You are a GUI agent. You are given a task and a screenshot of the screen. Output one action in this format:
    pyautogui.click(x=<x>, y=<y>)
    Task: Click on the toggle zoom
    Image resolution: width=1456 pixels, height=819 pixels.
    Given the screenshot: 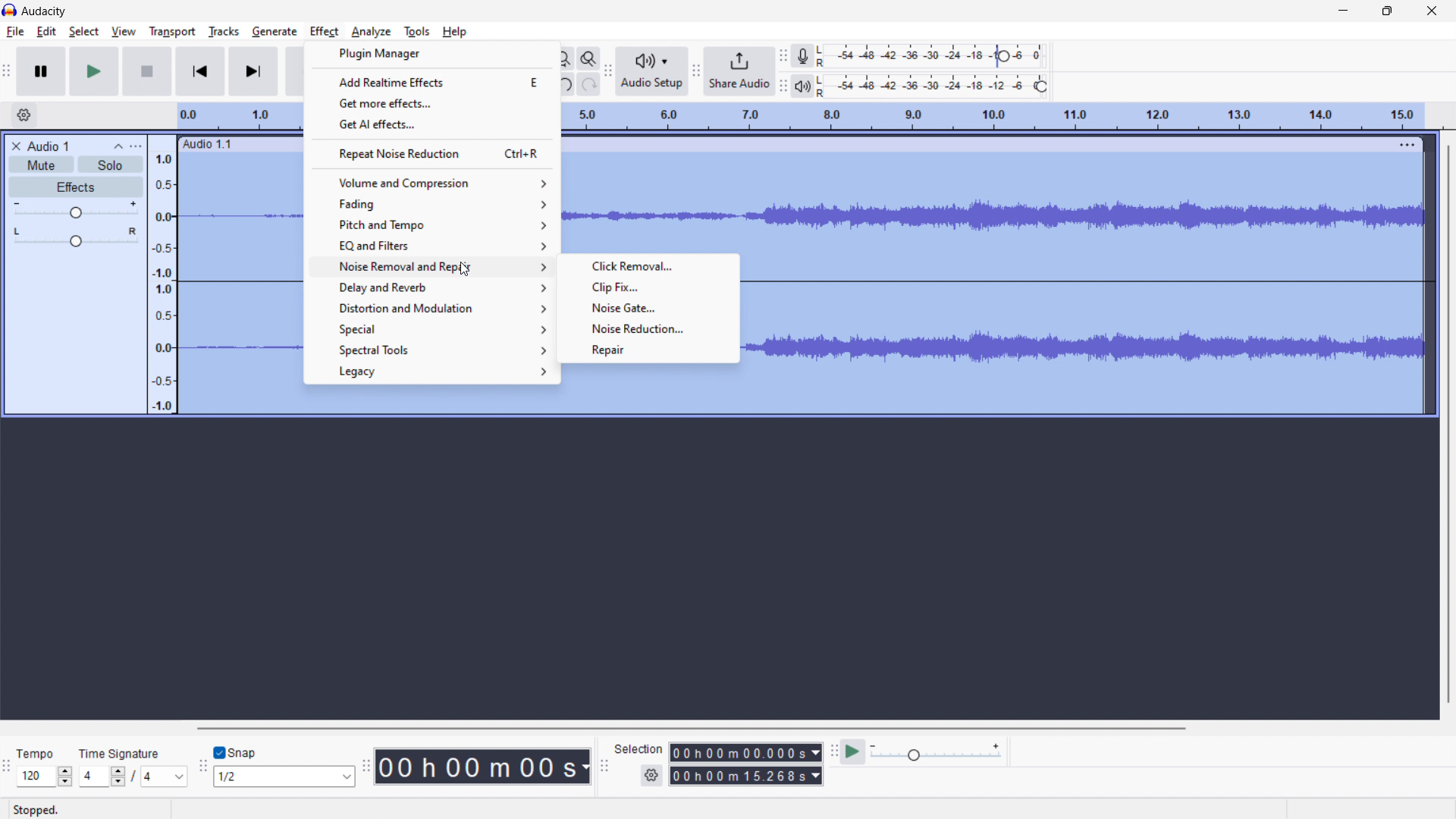 What is the action you would take?
    pyautogui.click(x=588, y=58)
    